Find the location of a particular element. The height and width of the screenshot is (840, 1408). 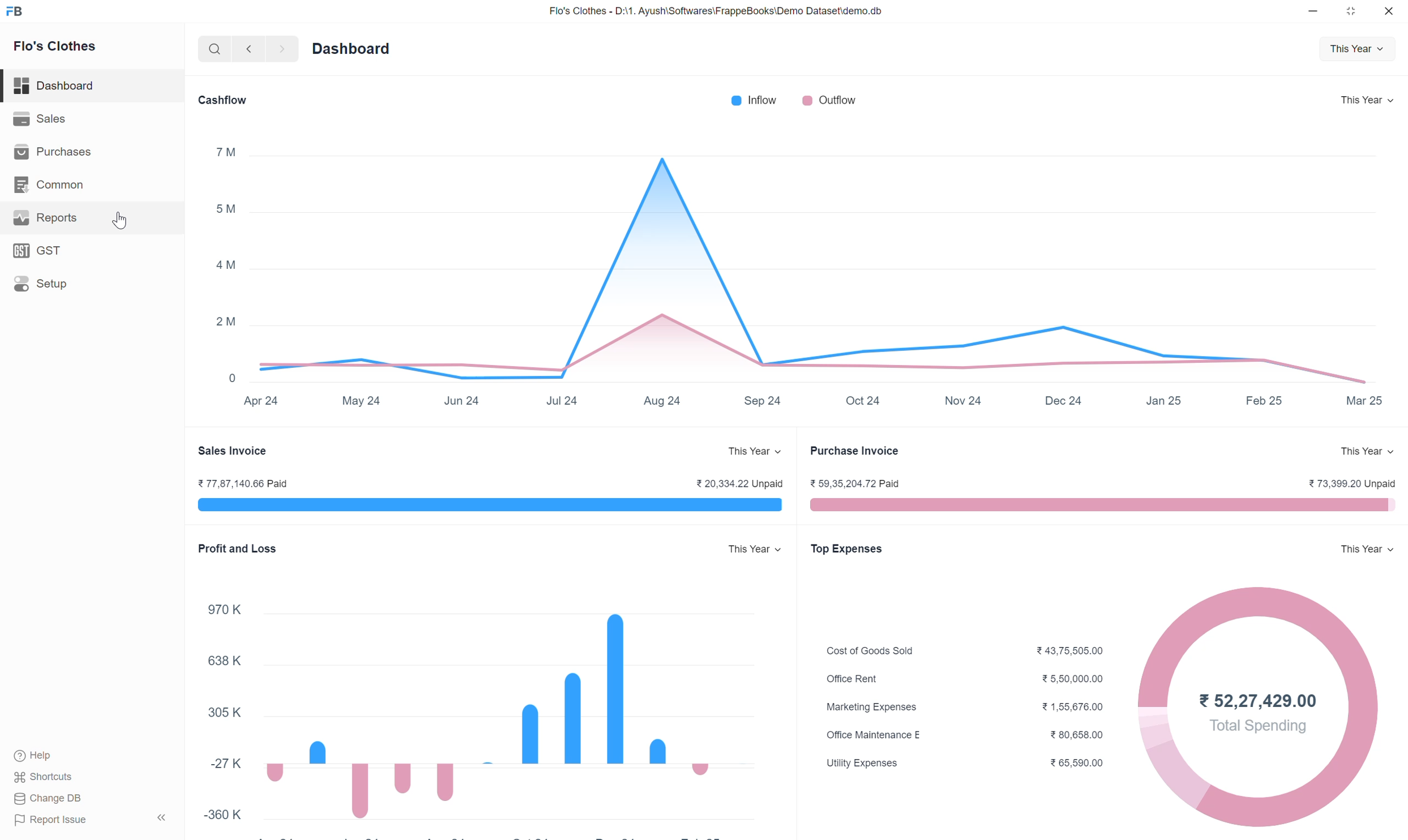

restore down is located at coordinates (1350, 11).